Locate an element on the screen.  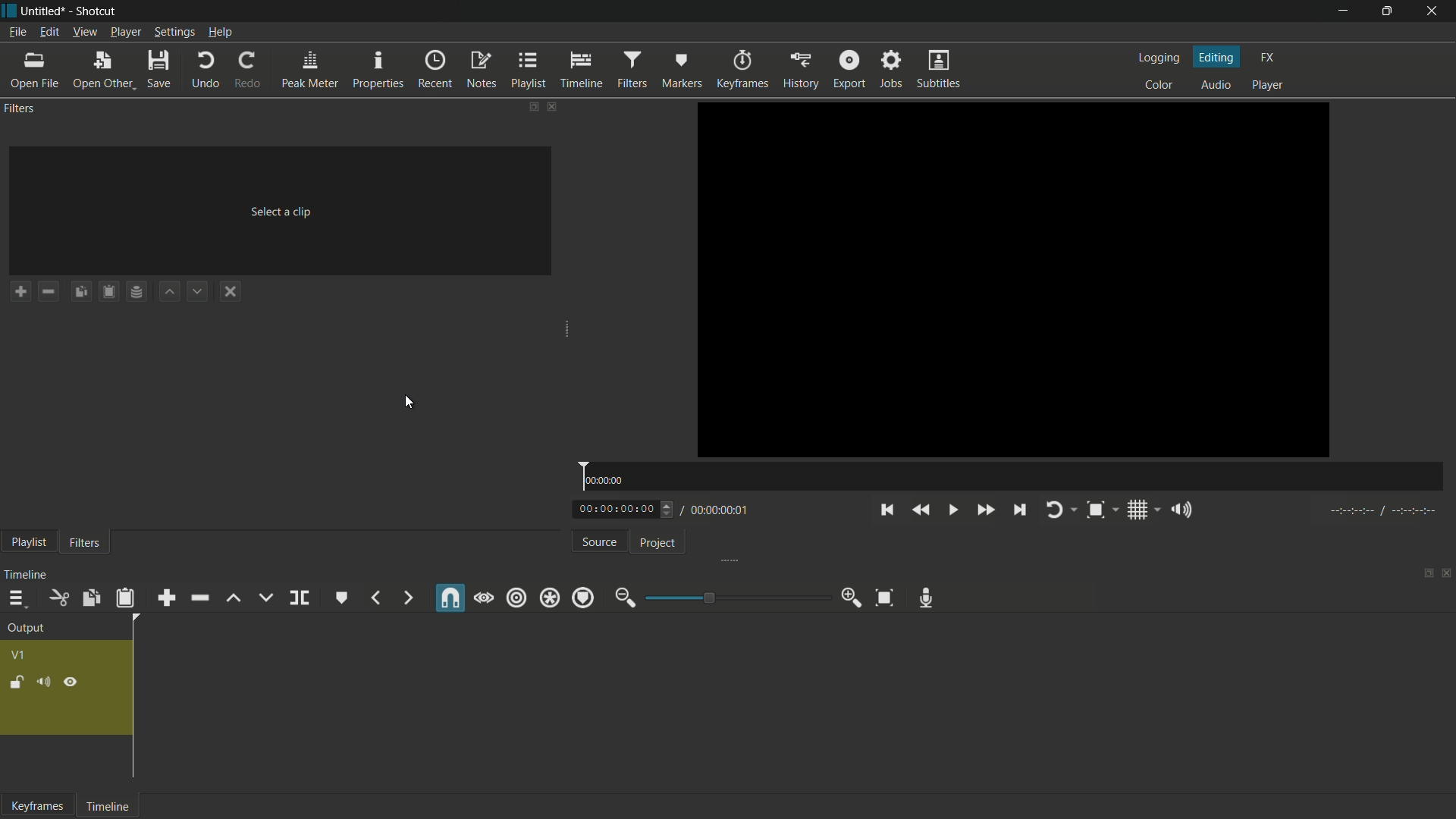
app name is located at coordinates (99, 11).